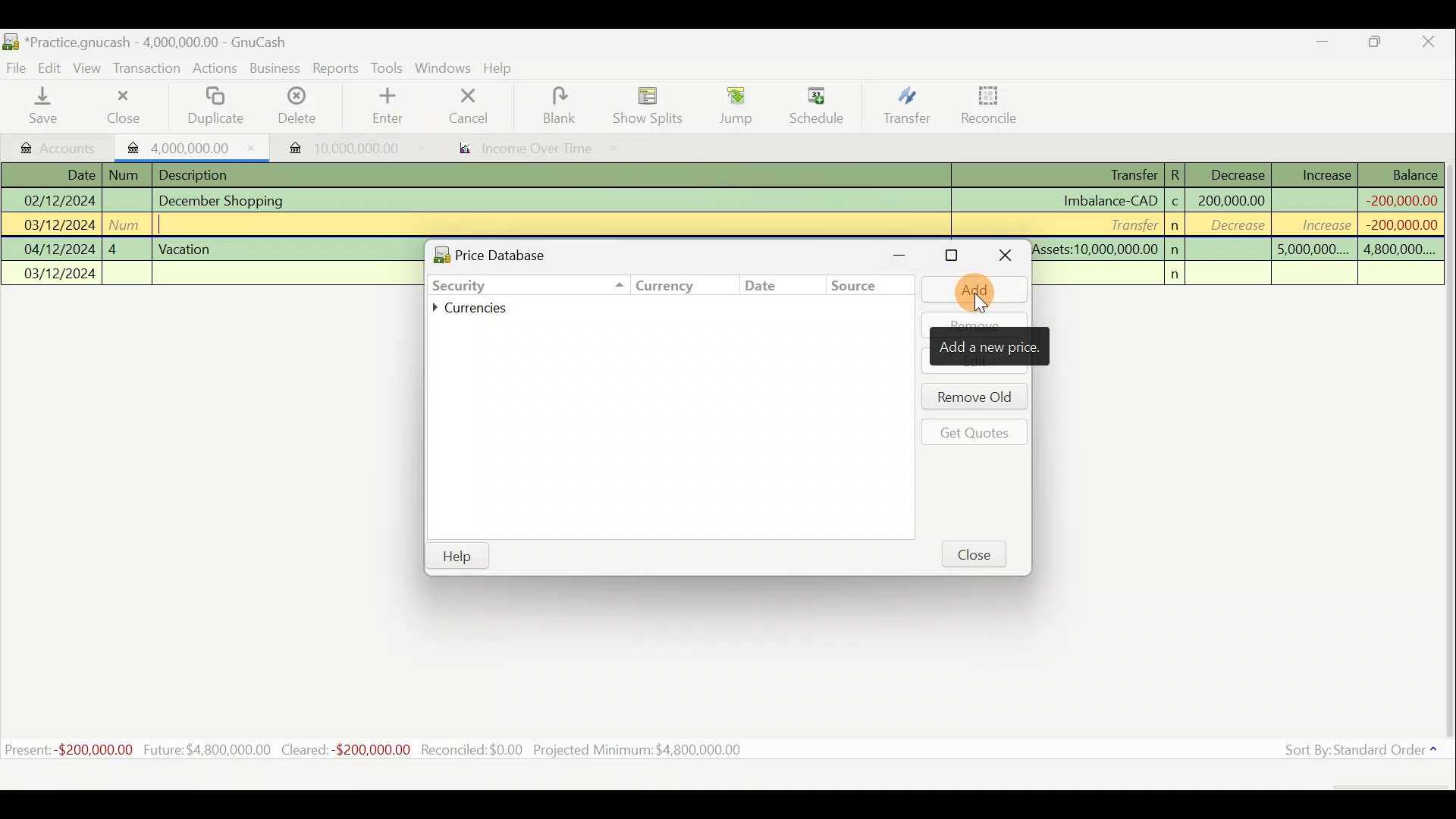  Describe the element at coordinates (1399, 199) in the screenshot. I see `-200,000,000` at that location.